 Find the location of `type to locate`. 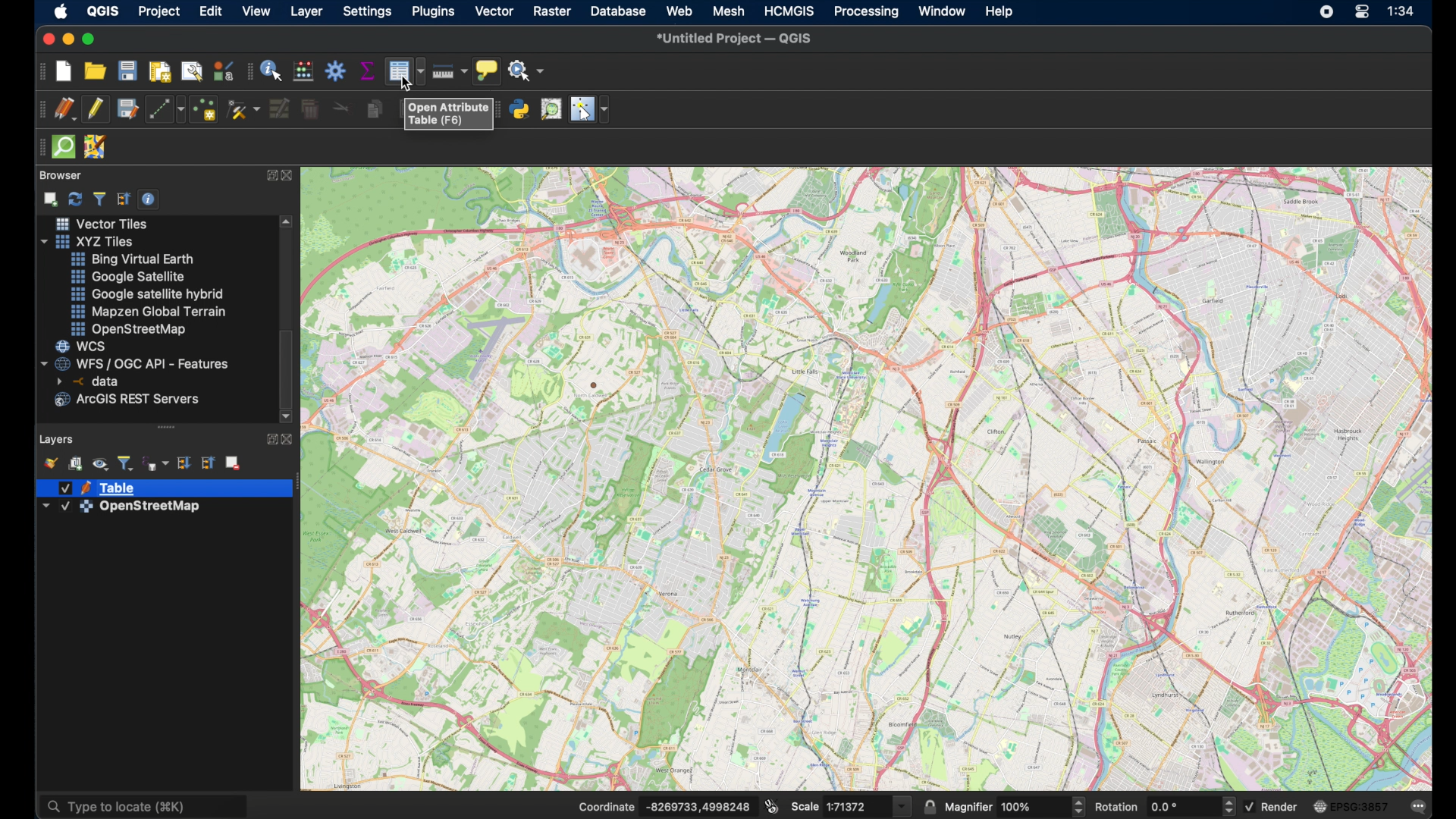

type to locate is located at coordinates (144, 802).